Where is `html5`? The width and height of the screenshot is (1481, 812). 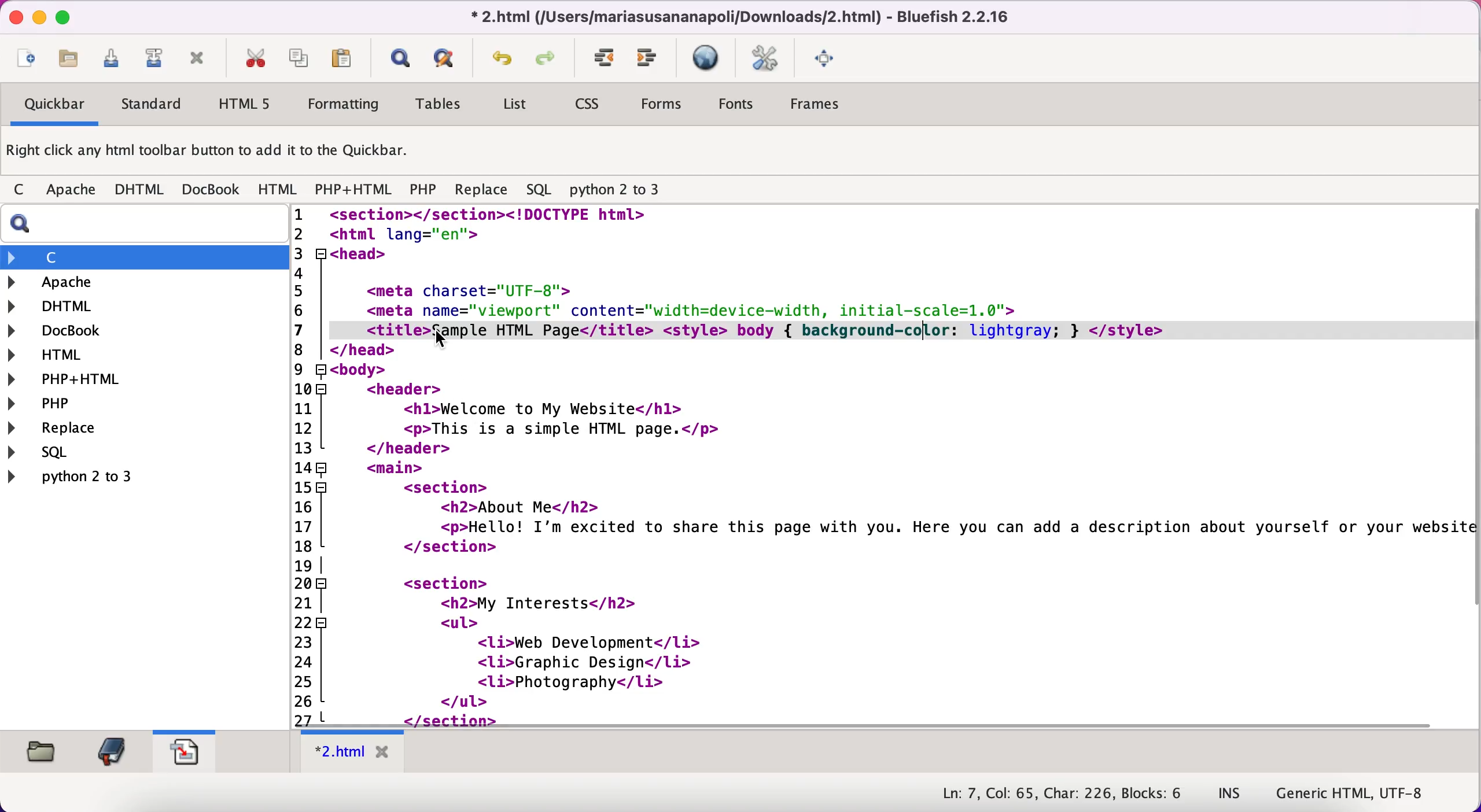 html5 is located at coordinates (242, 104).